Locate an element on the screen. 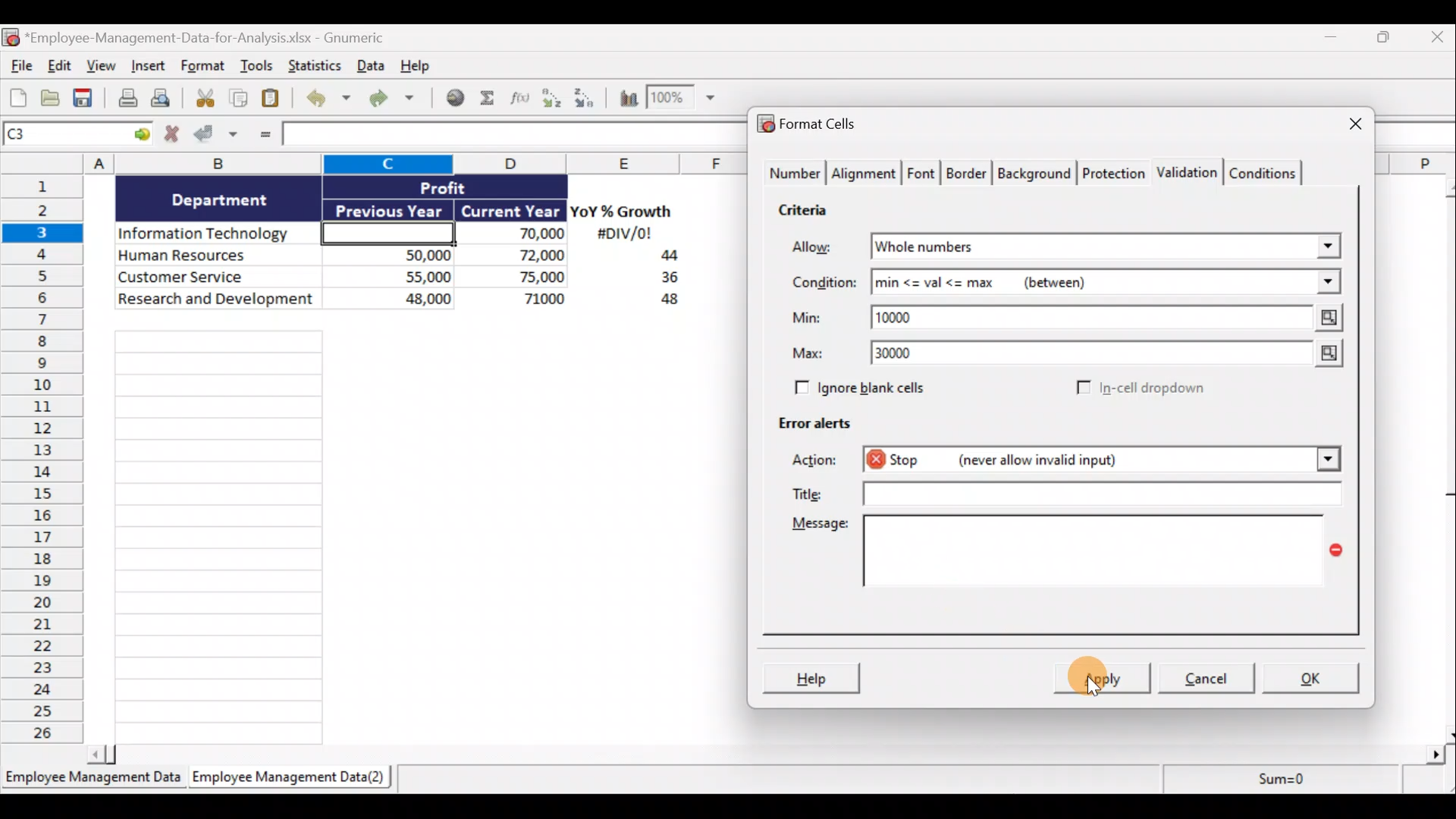  Condition is located at coordinates (823, 283).